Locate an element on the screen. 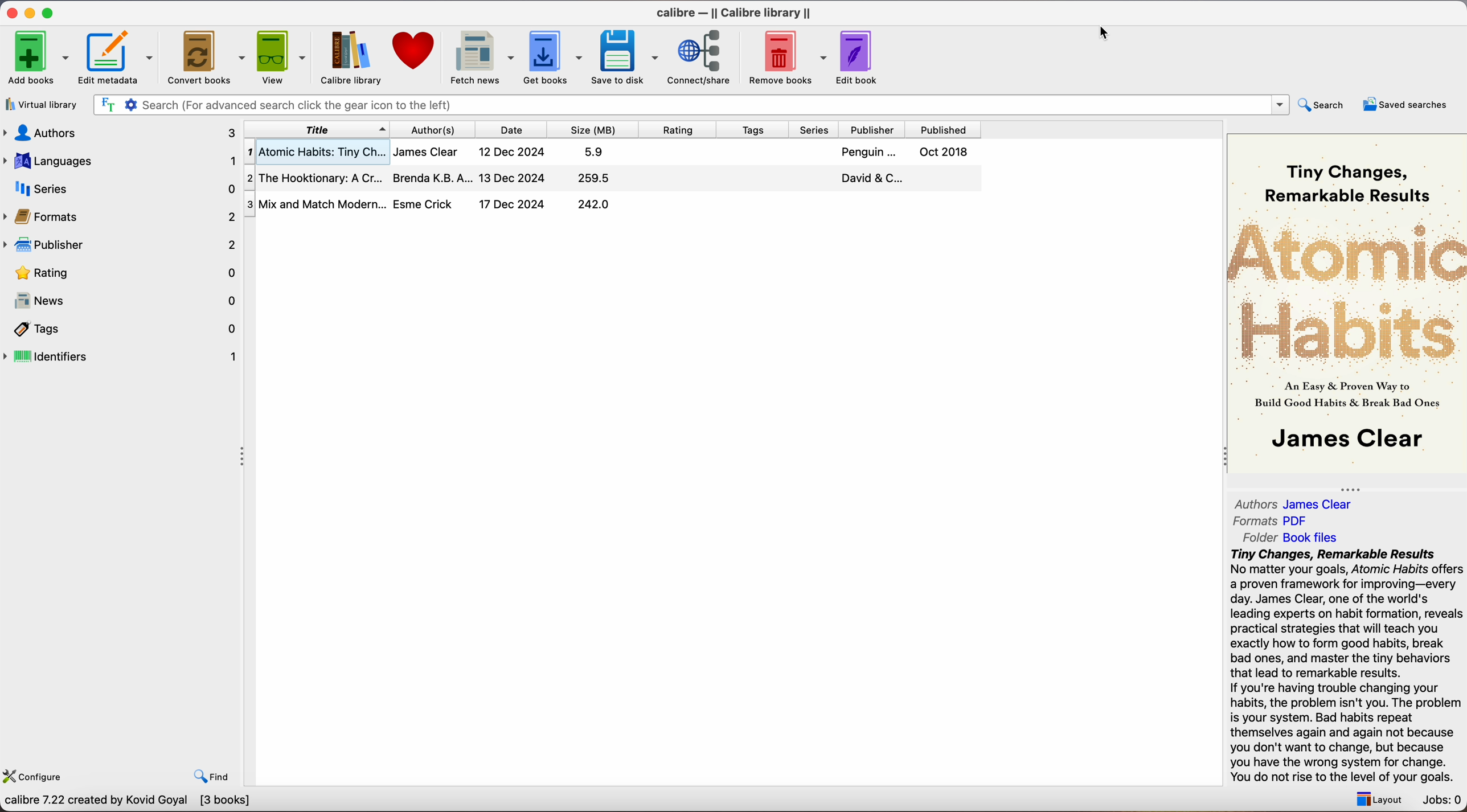 This screenshot has width=1467, height=812. publisher is located at coordinates (876, 130).